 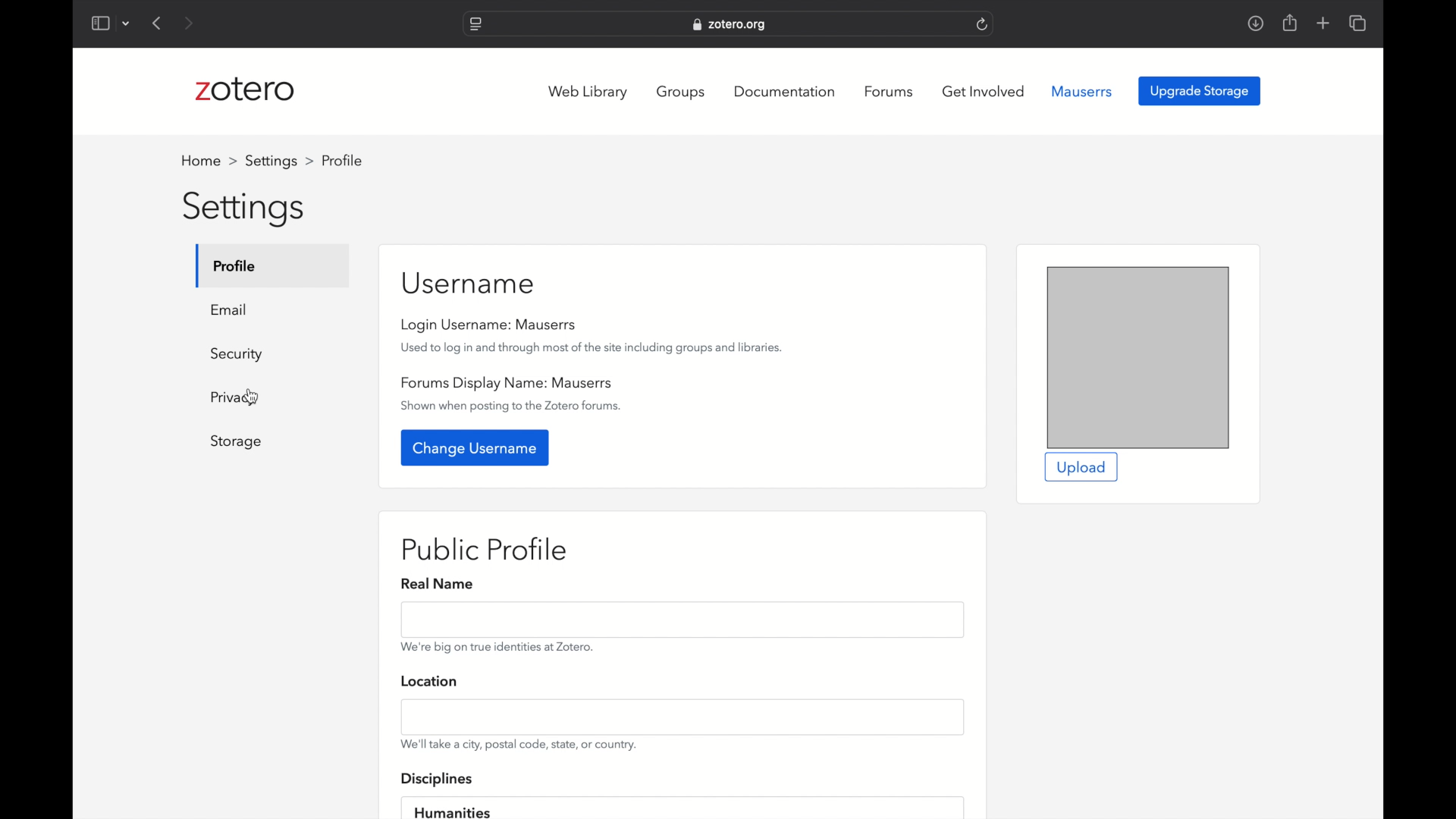 What do you see at coordinates (588, 93) in the screenshot?
I see `web library` at bounding box center [588, 93].